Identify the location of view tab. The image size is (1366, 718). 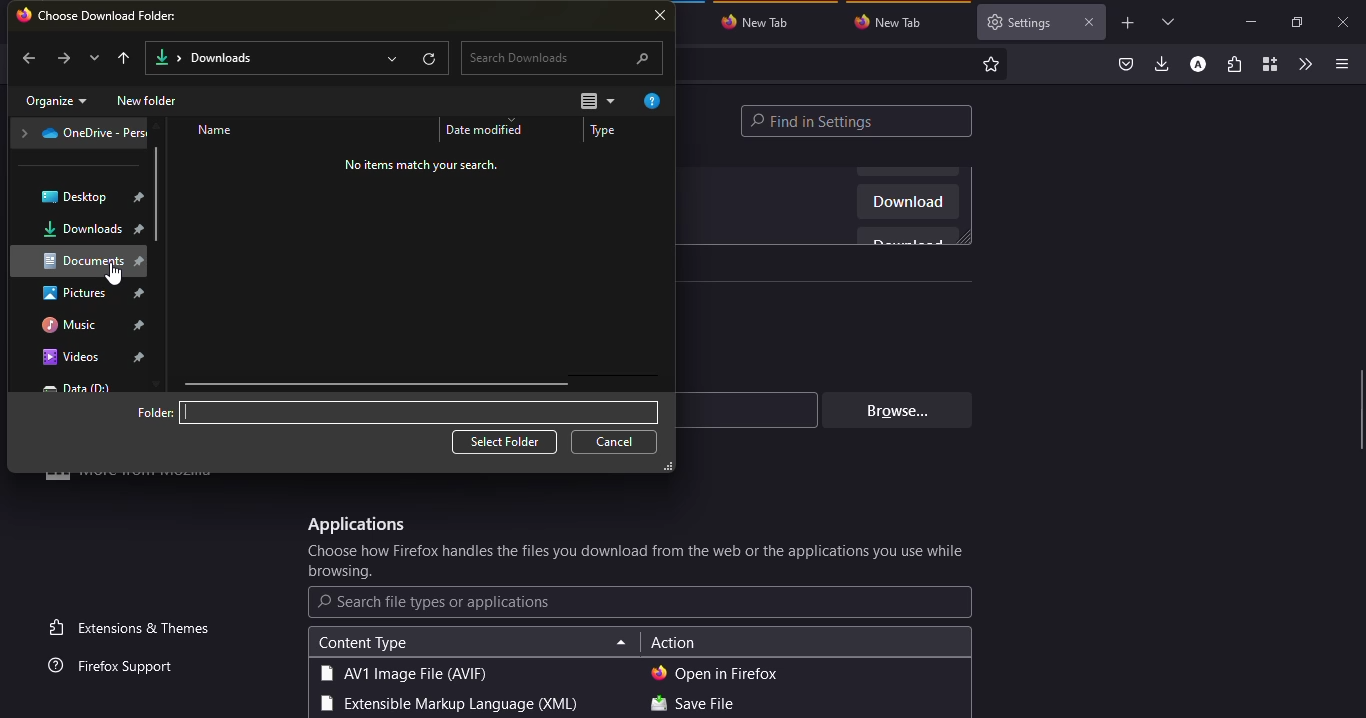
(1169, 21).